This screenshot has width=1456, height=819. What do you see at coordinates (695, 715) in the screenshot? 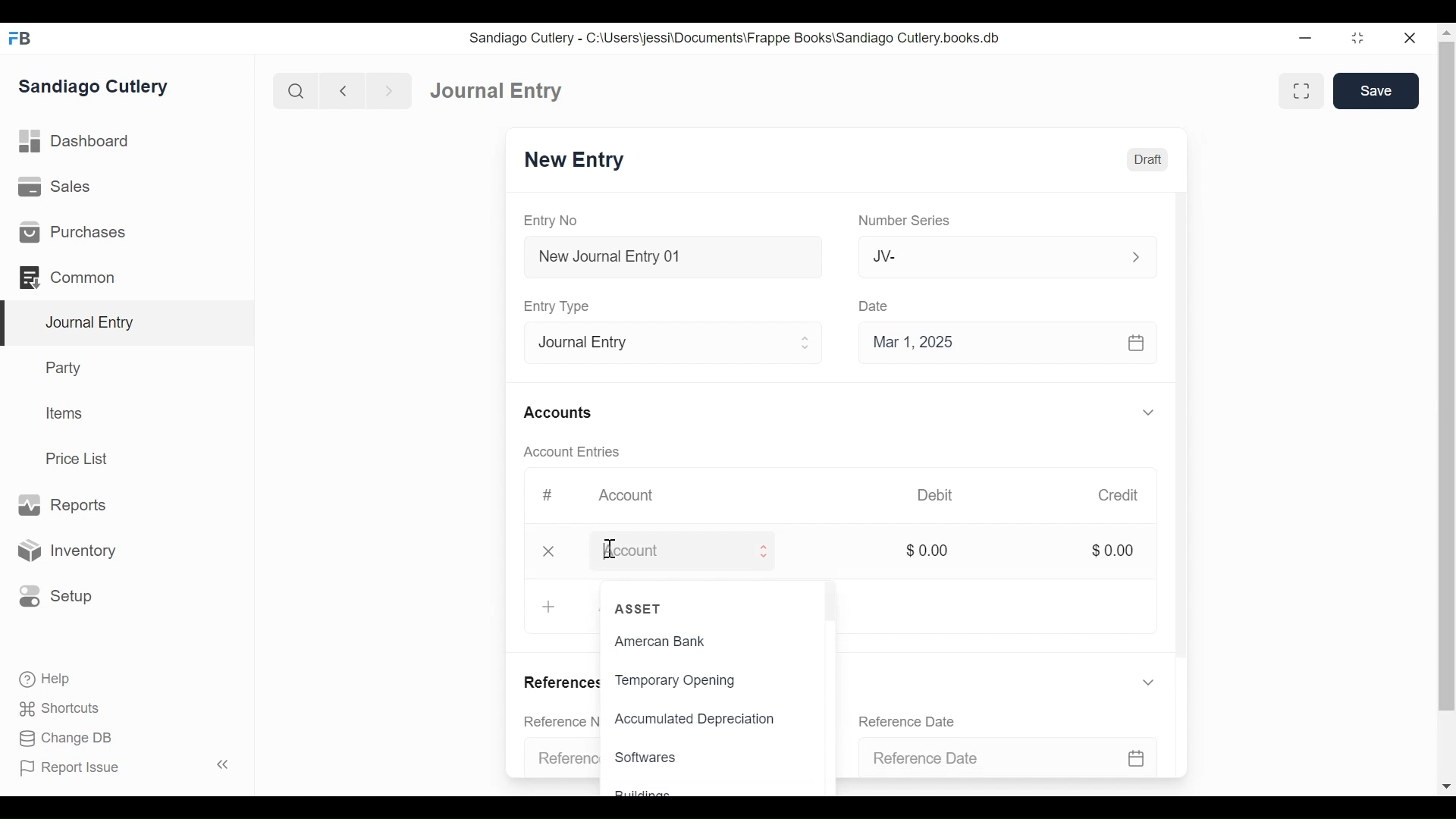
I see `accumulated Depreciation` at bounding box center [695, 715].